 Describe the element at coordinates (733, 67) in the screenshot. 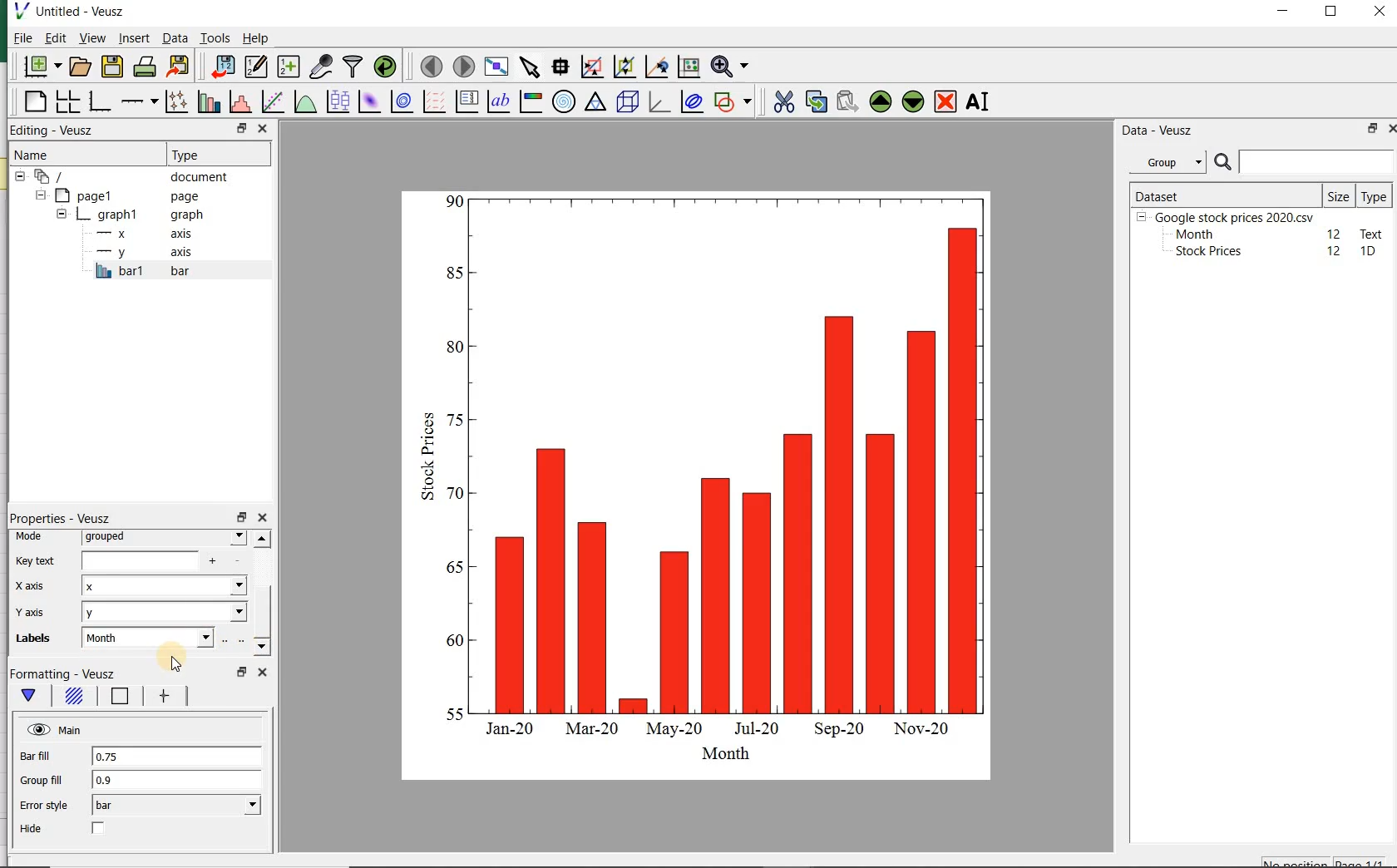

I see `zoom function menus` at that location.